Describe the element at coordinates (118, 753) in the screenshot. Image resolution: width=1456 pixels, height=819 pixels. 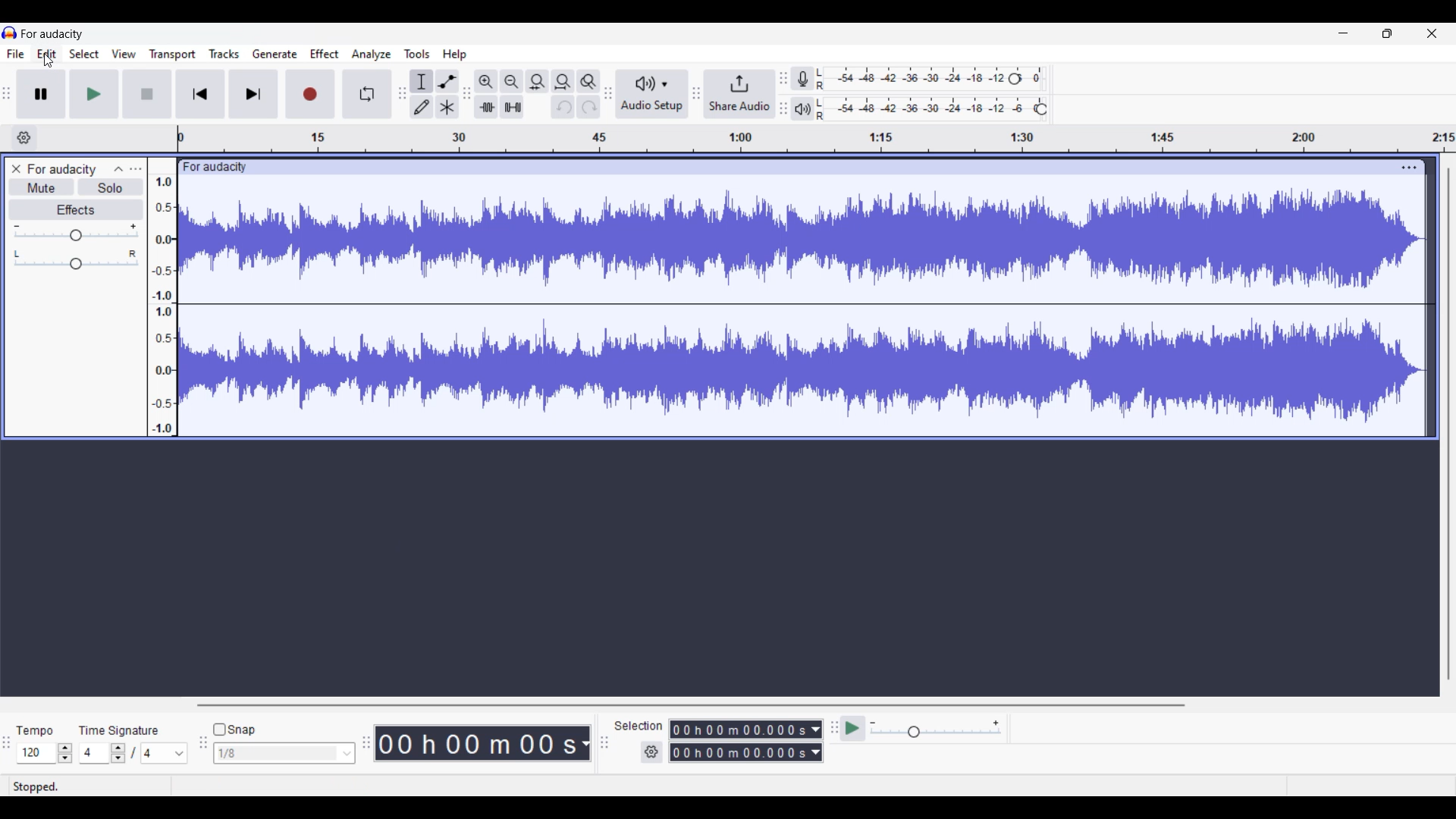
I see `Increase/Decrease time signature` at that location.